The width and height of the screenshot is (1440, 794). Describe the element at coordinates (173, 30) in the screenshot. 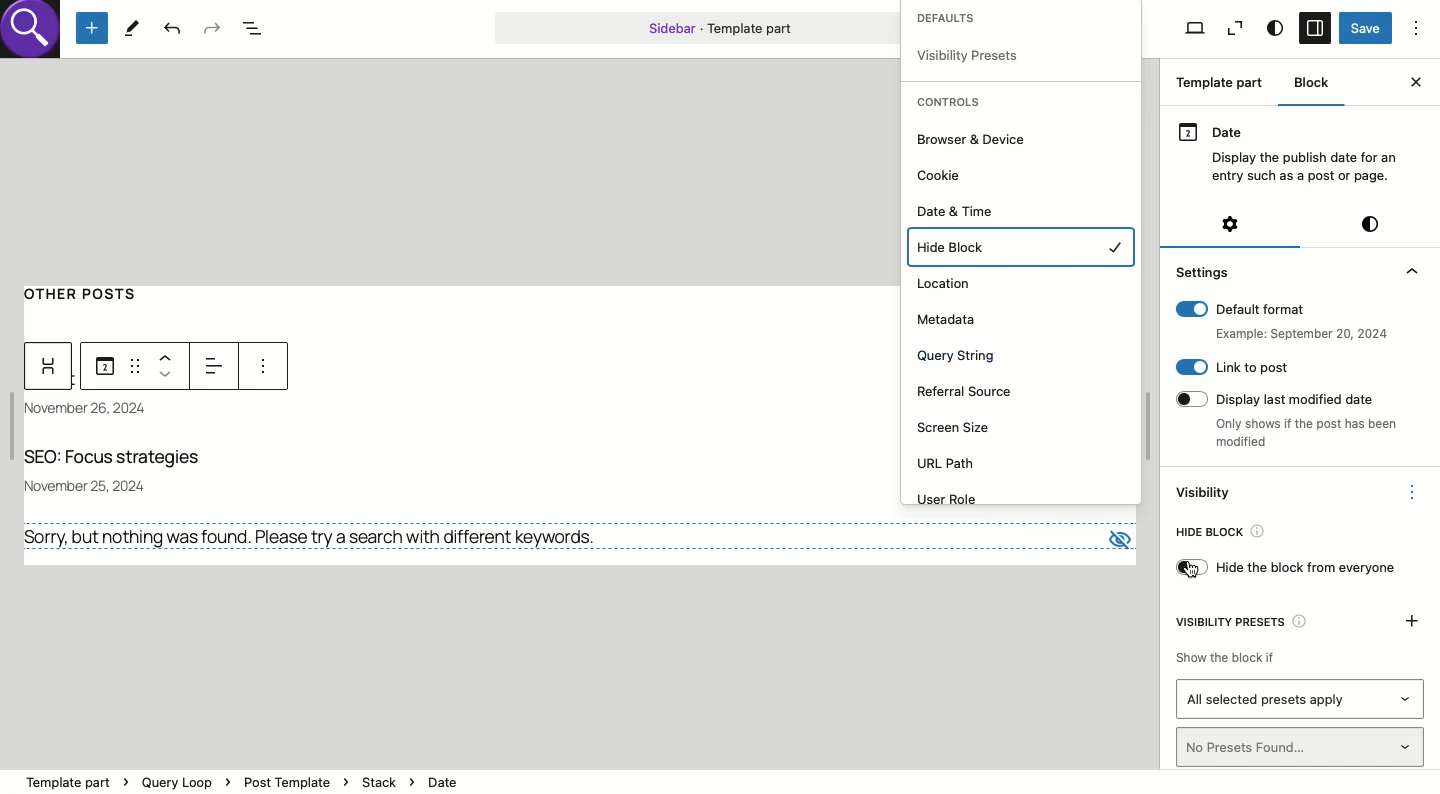

I see `Undo` at that location.